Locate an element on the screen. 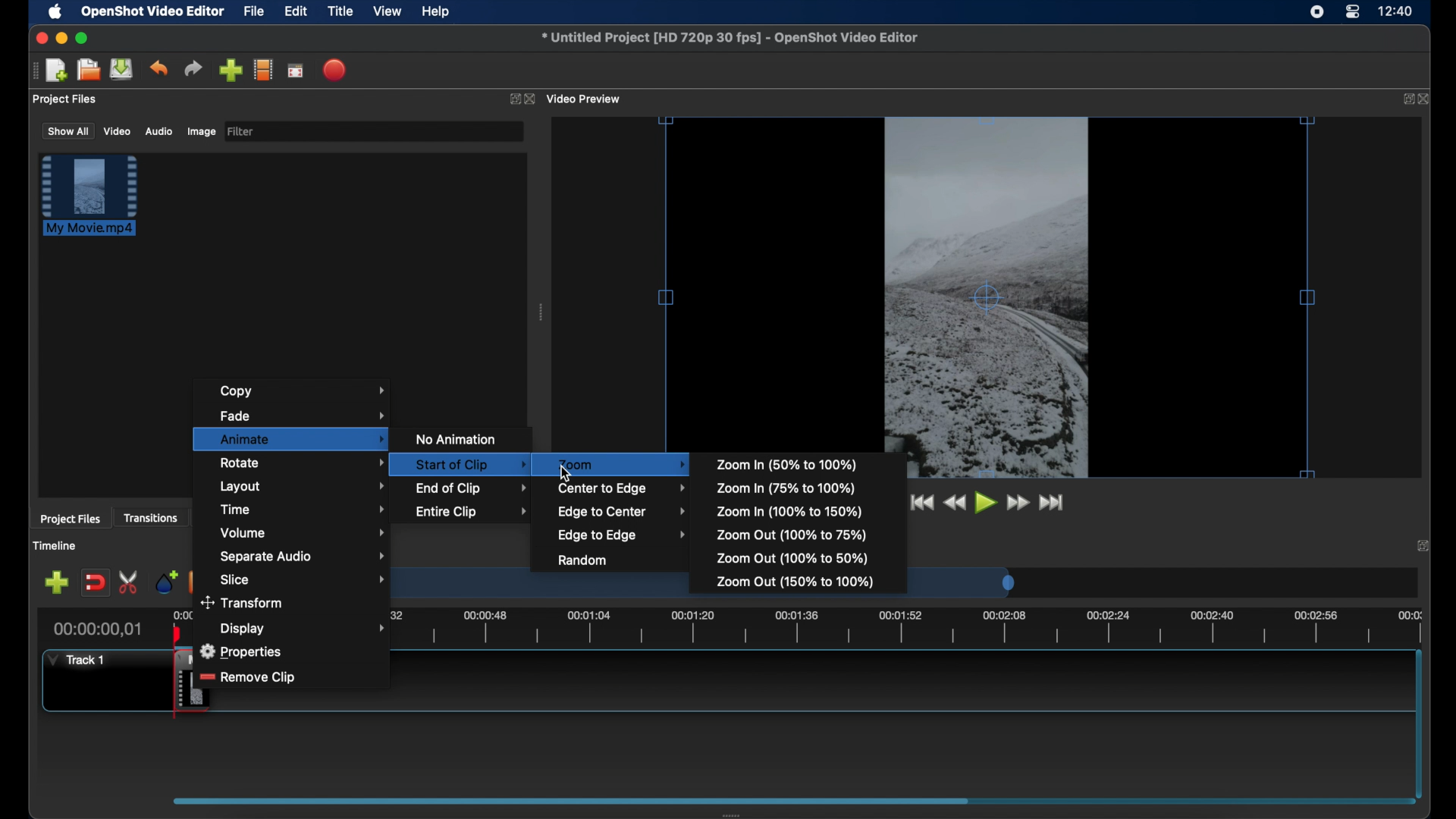  redo is located at coordinates (193, 69).